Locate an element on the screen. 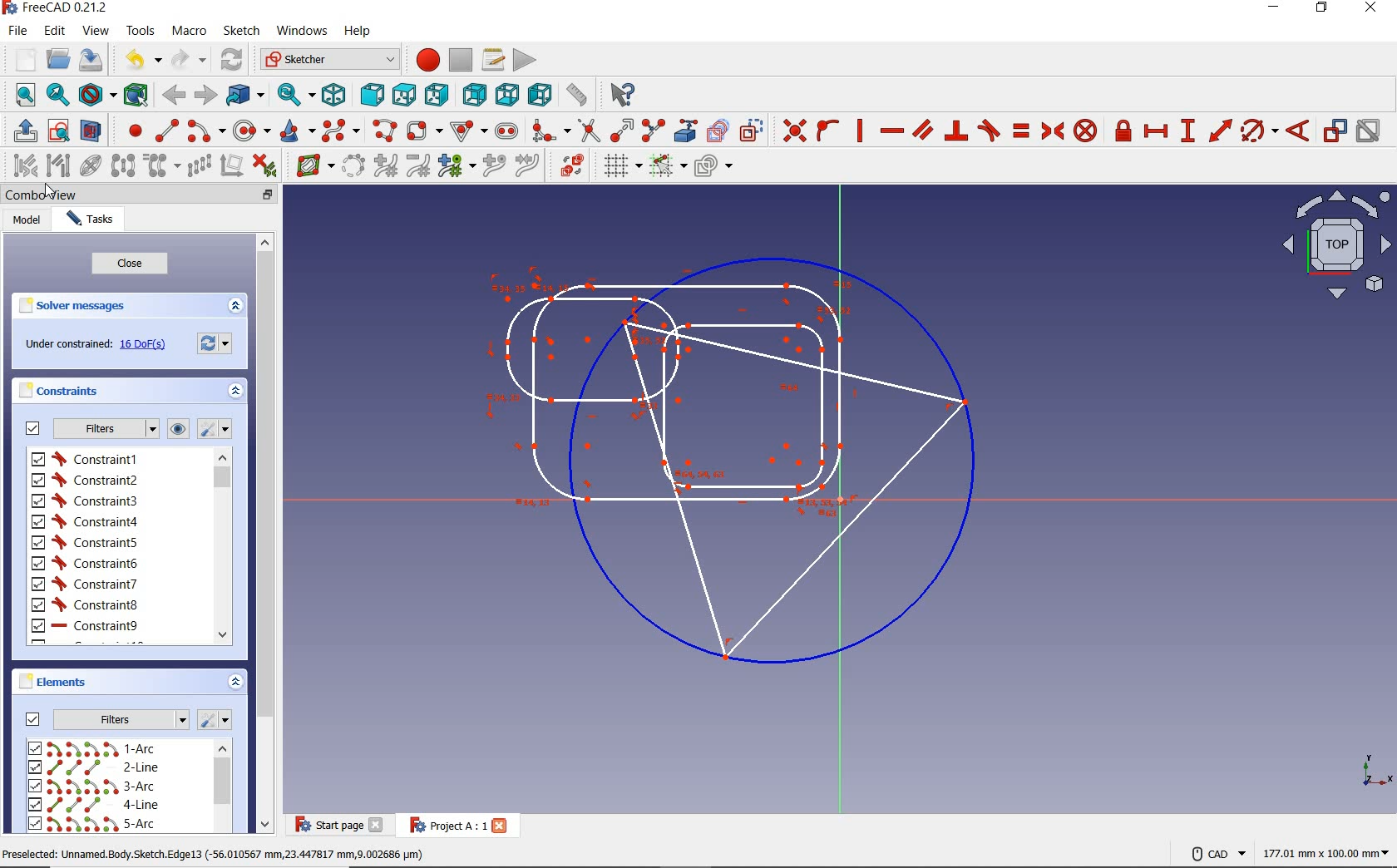  constrain horizontal distance is located at coordinates (1155, 132).